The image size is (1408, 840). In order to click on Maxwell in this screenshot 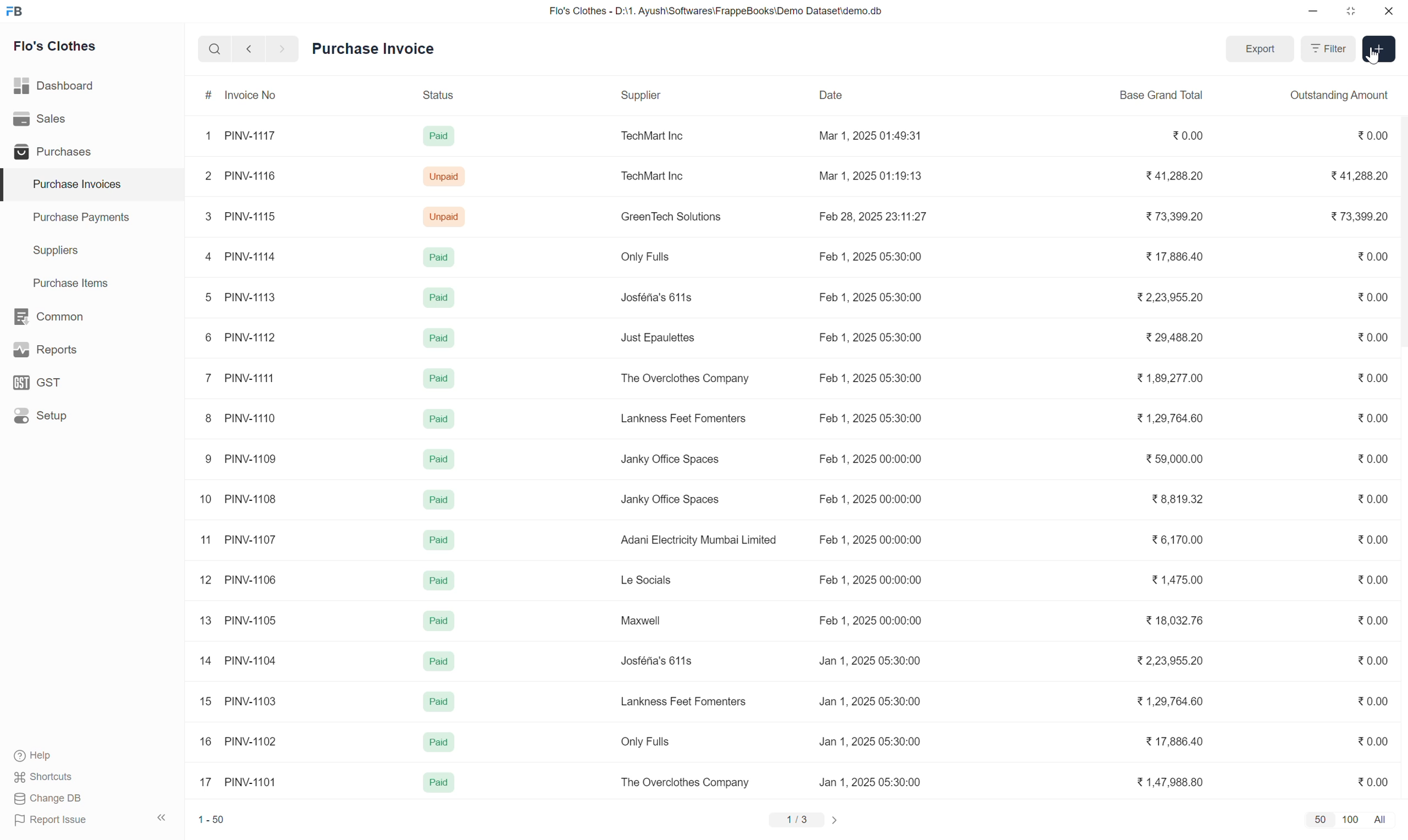, I will do `click(644, 620)`.